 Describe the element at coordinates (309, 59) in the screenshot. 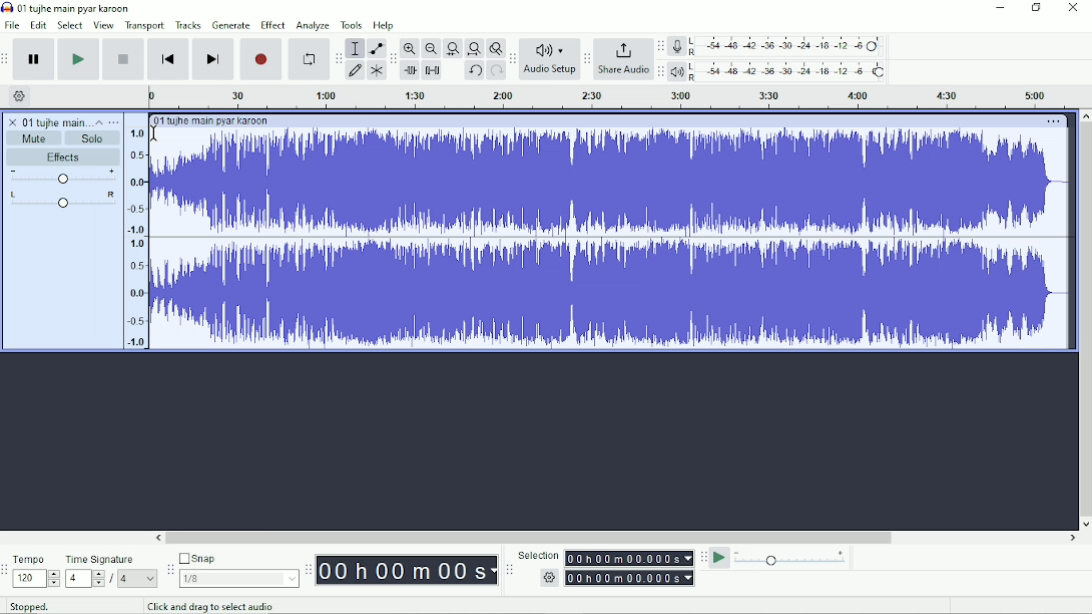

I see `Enable looping` at that location.